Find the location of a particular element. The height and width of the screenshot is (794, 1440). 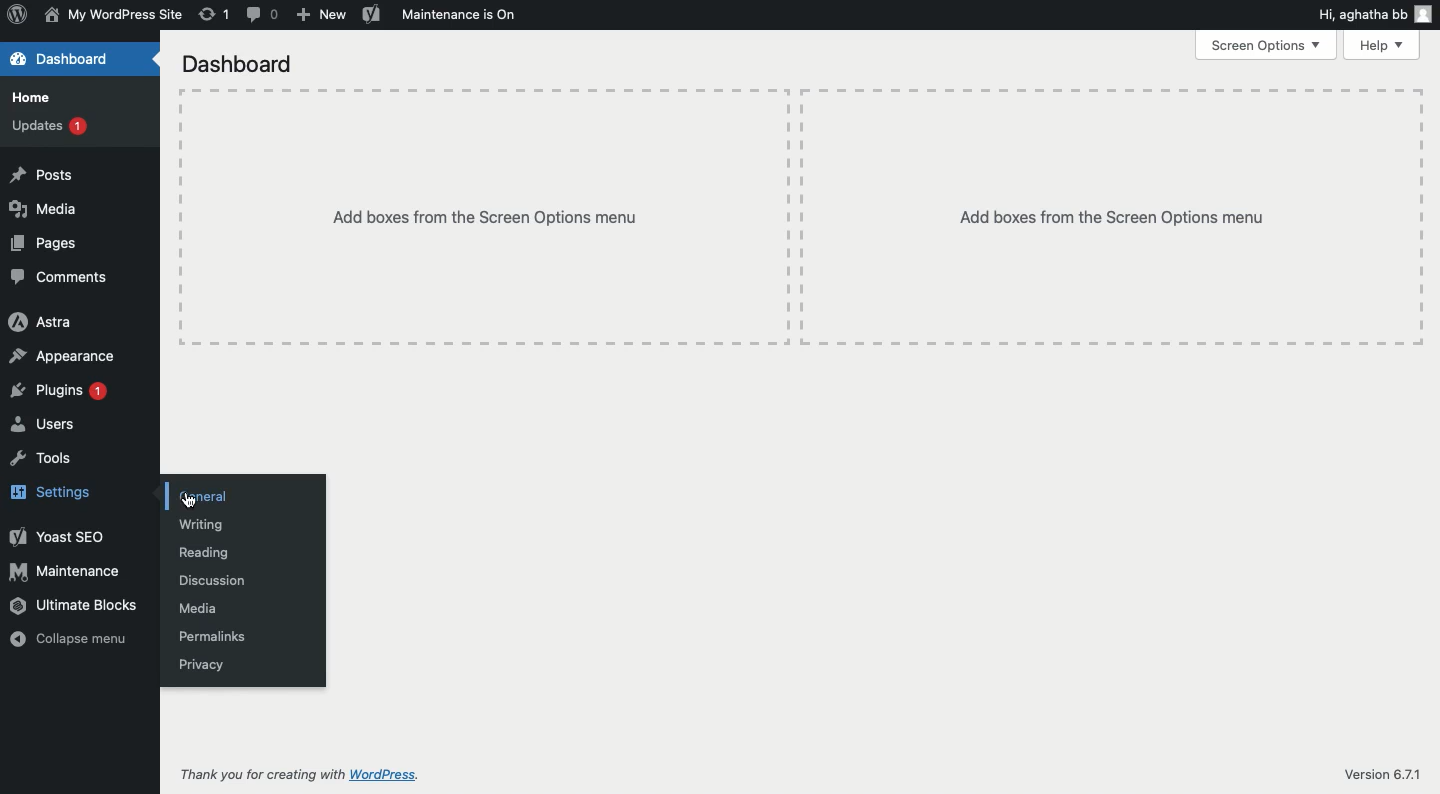

Maintenance is located at coordinates (67, 573).